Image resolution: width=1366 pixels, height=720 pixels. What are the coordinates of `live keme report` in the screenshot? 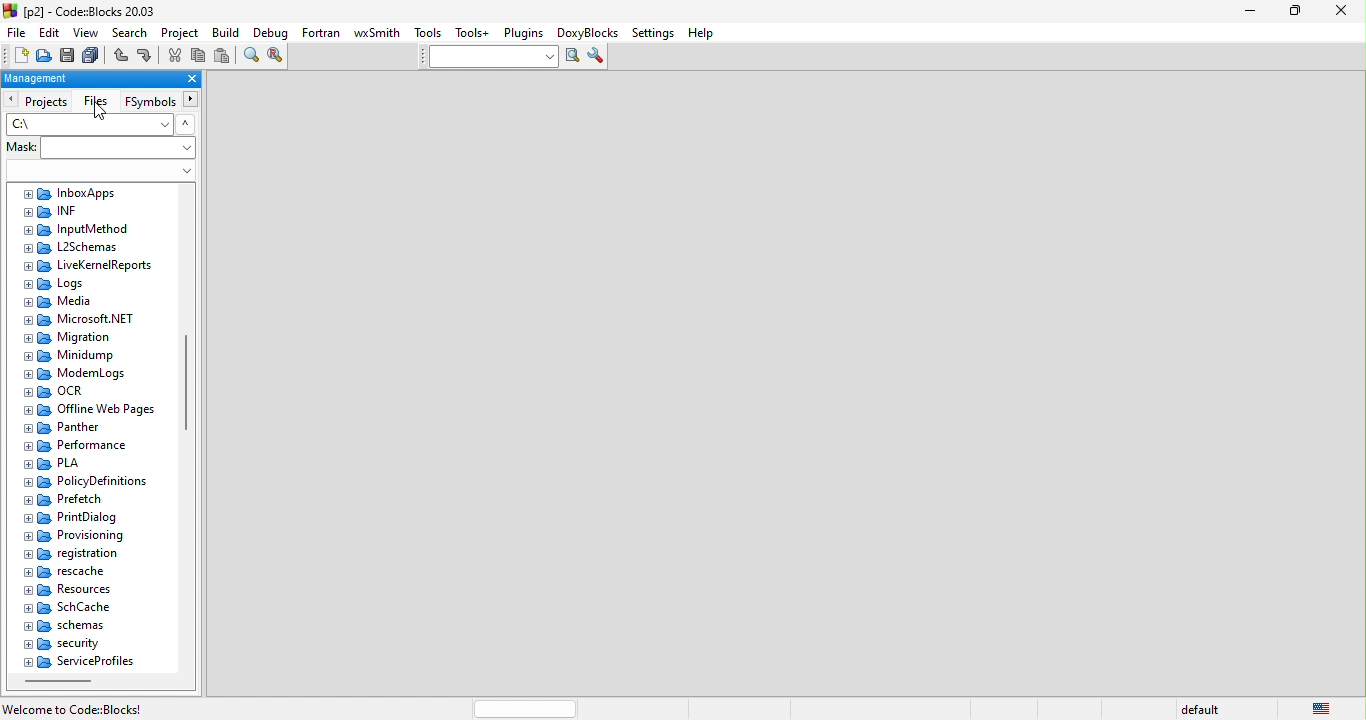 It's located at (90, 265).